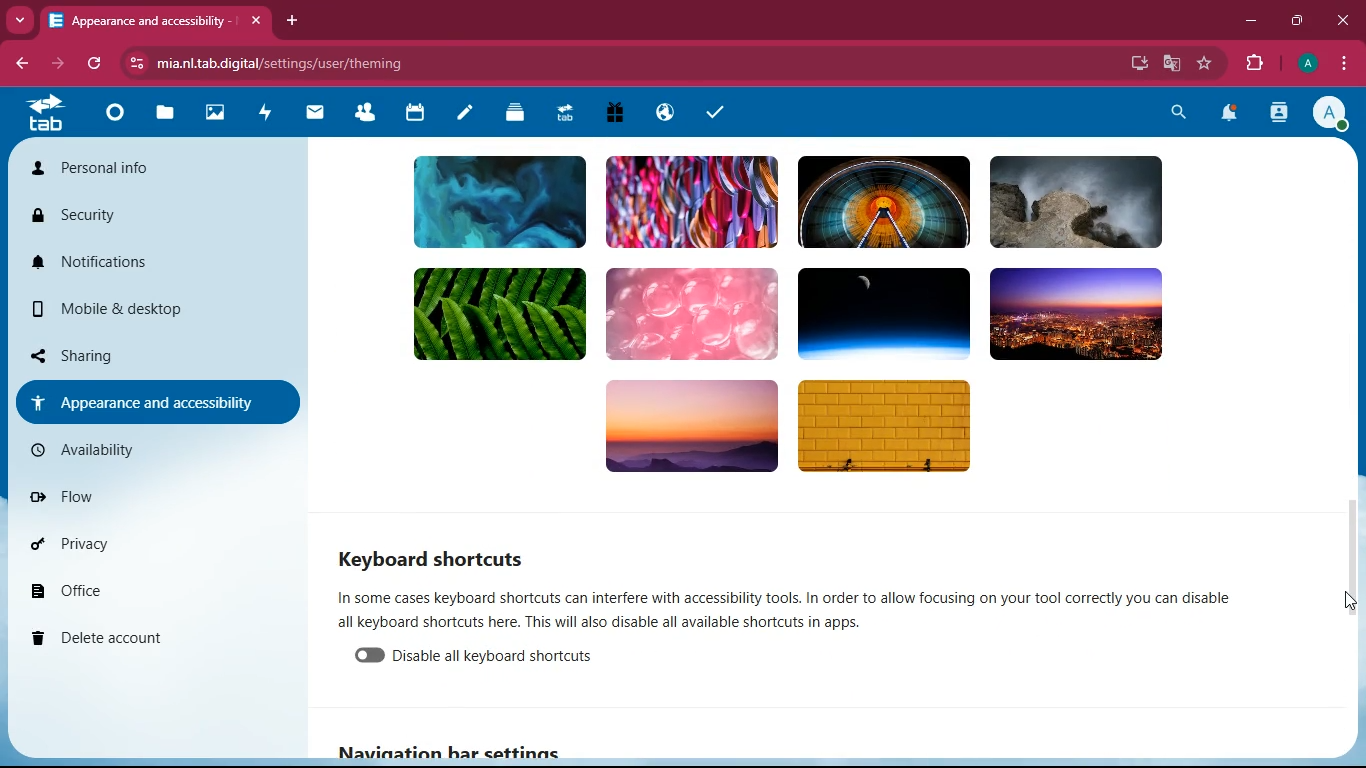 The image size is (1366, 768). Describe the element at coordinates (153, 546) in the screenshot. I see `privacy` at that location.